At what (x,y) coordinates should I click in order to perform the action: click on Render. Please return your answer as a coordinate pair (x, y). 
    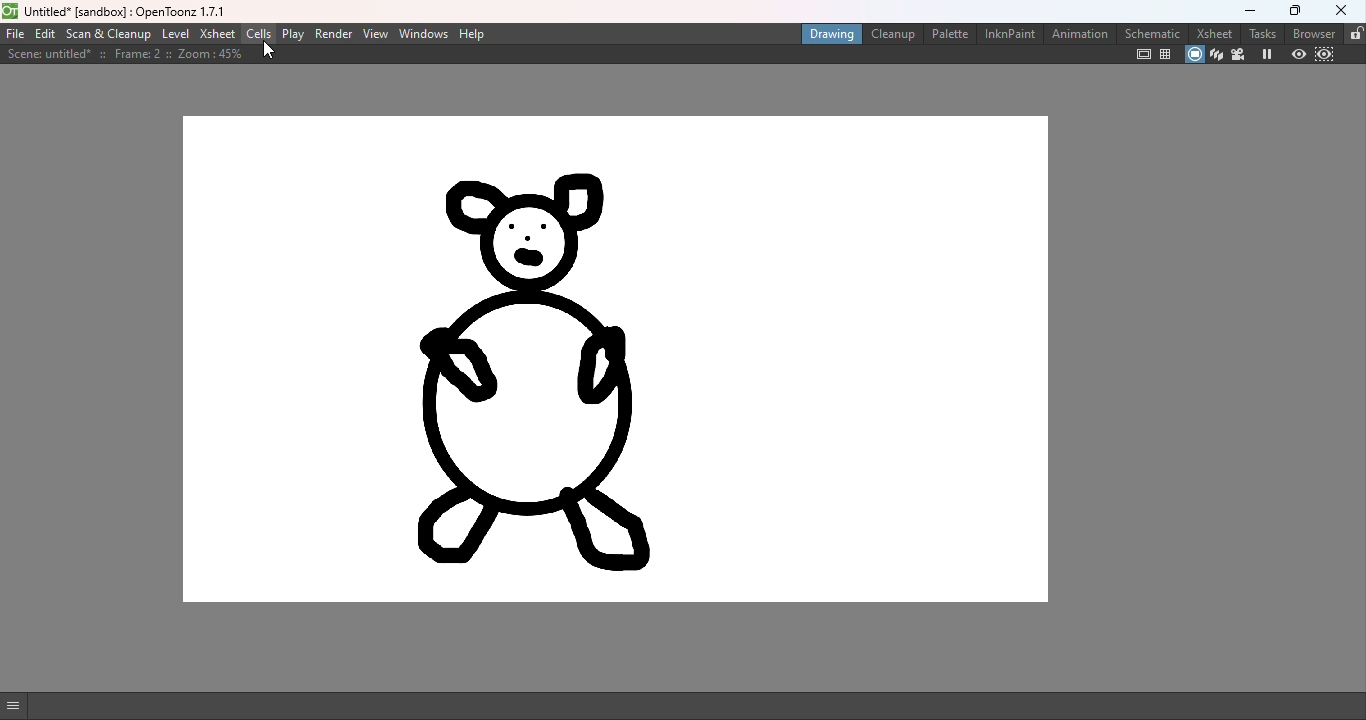
    Looking at the image, I should click on (333, 33).